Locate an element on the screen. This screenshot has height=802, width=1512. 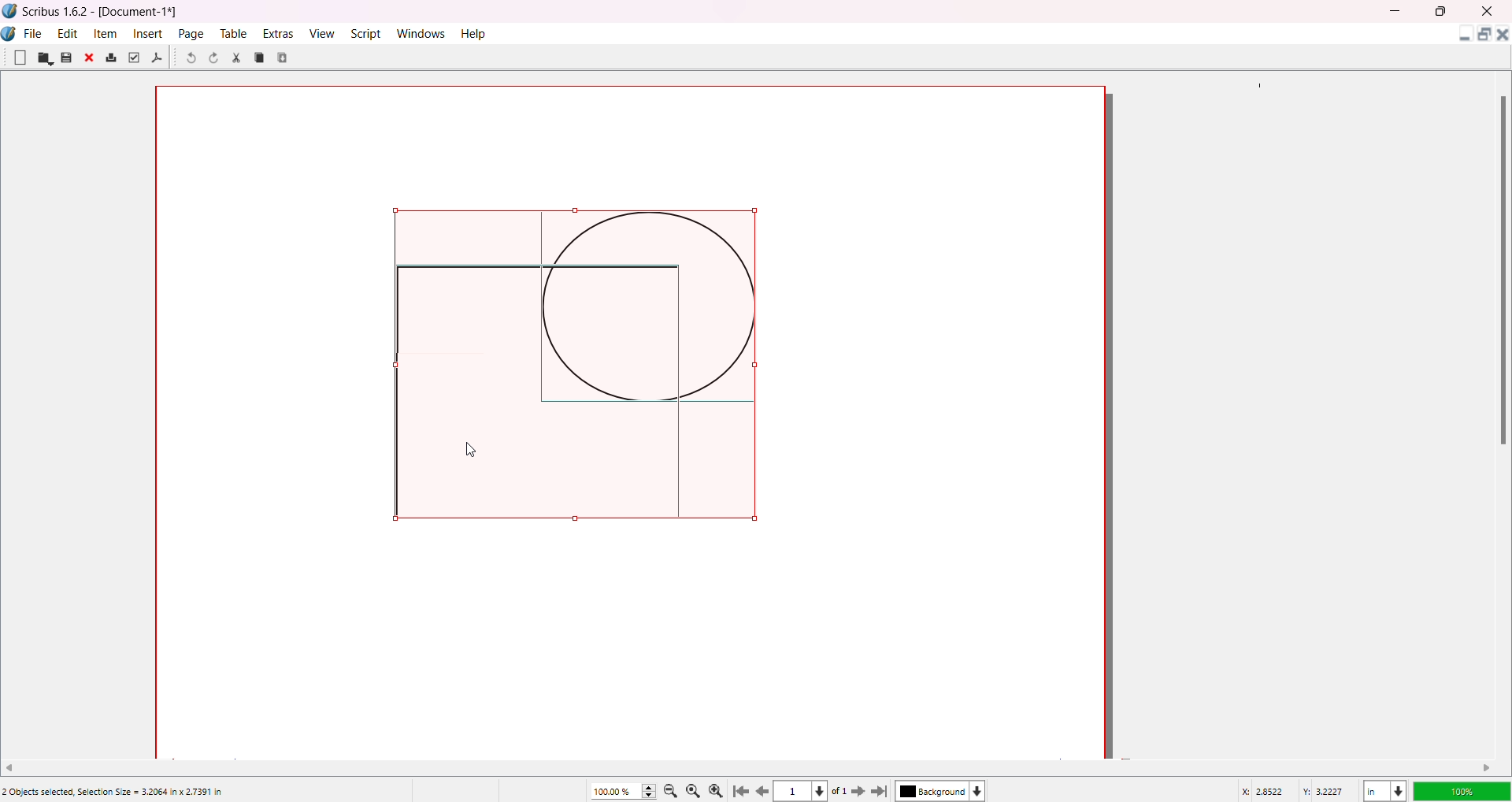
File is located at coordinates (34, 32).